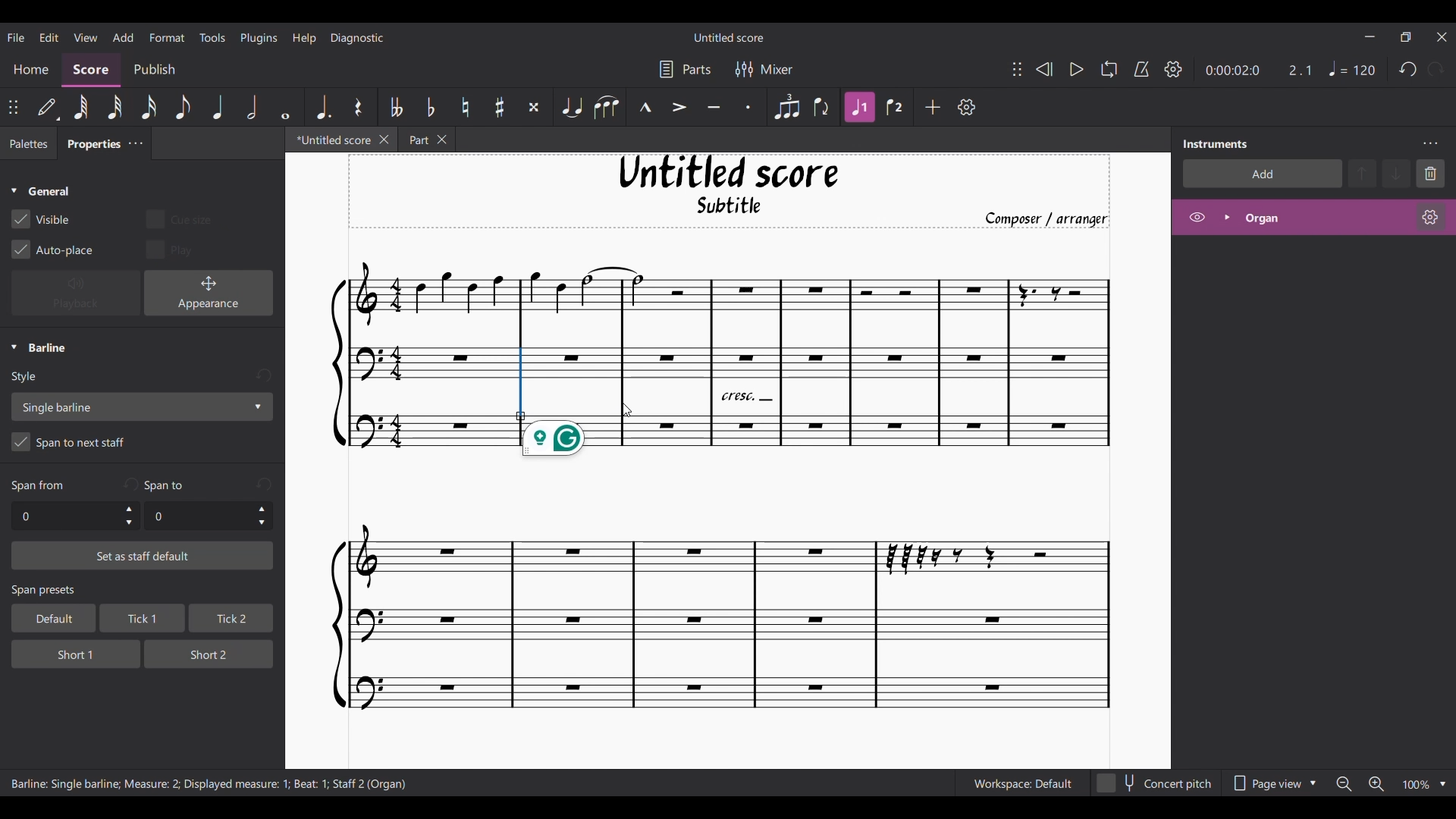 The width and height of the screenshot is (1456, 819). Describe the element at coordinates (1155, 783) in the screenshot. I see `Toggle for Concert pitch` at that location.